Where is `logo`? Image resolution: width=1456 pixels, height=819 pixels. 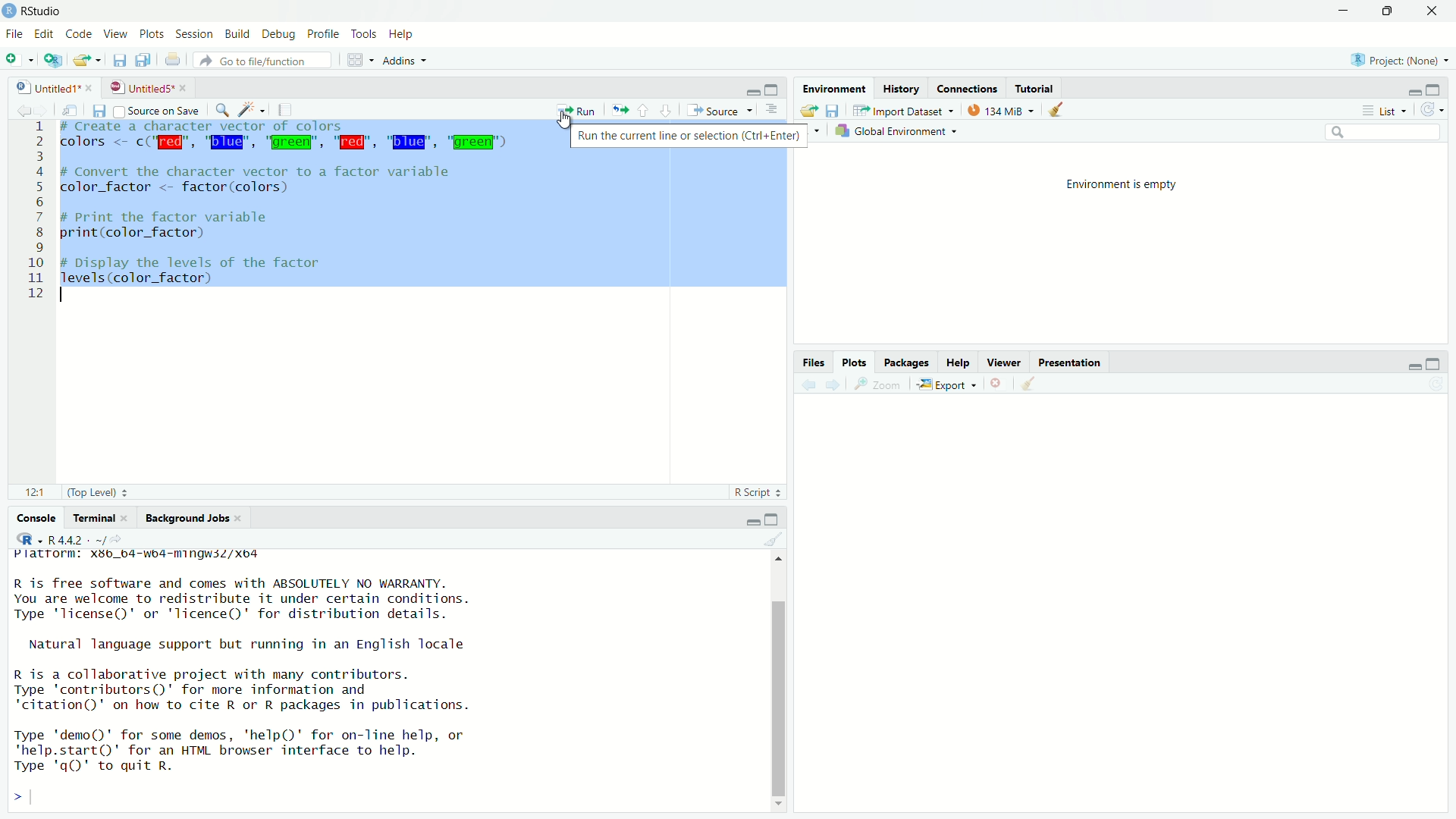
logo is located at coordinates (9, 11).